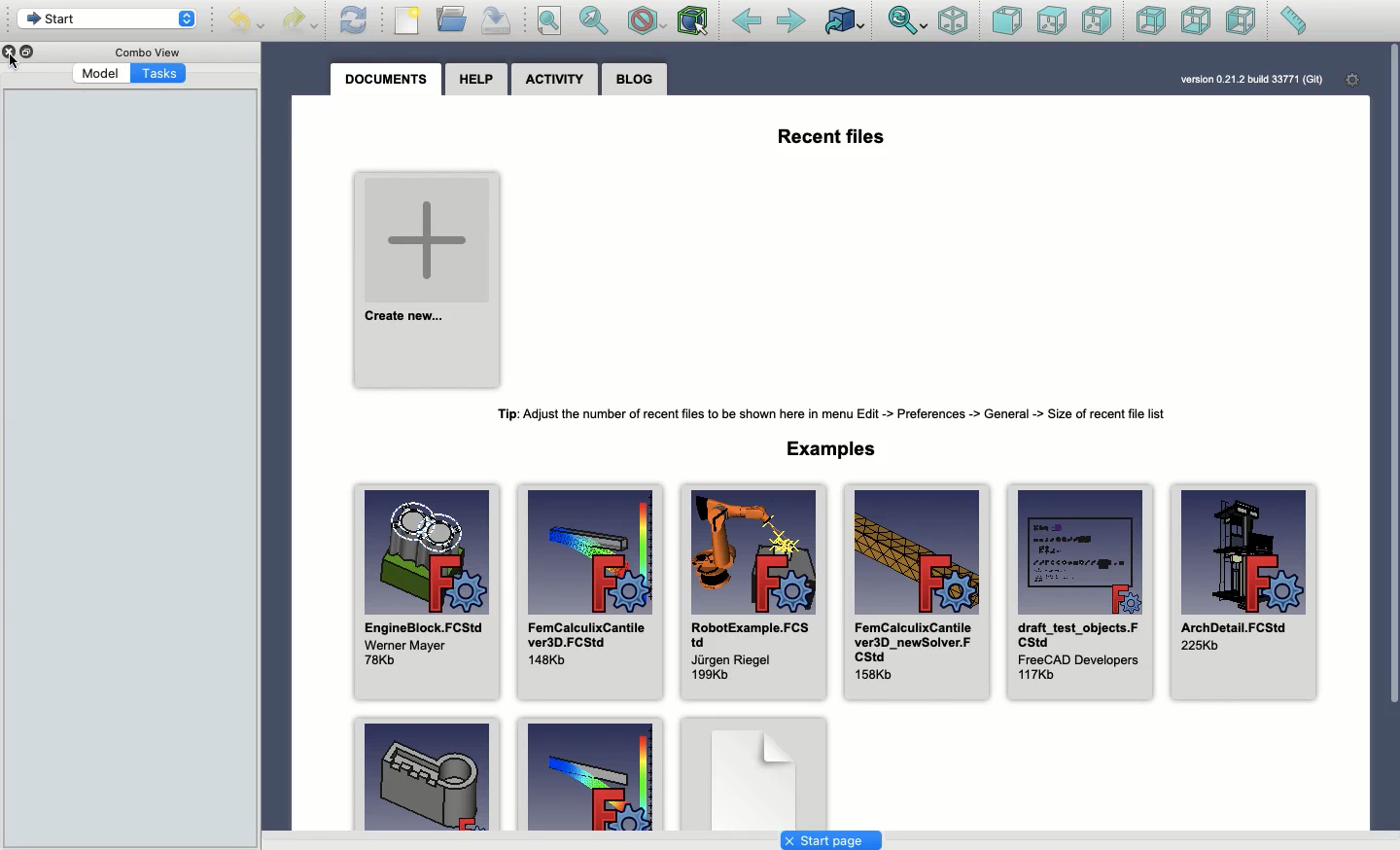 The width and height of the screenshot is (1400, 850). I want to click on Model, so click(100, 73).